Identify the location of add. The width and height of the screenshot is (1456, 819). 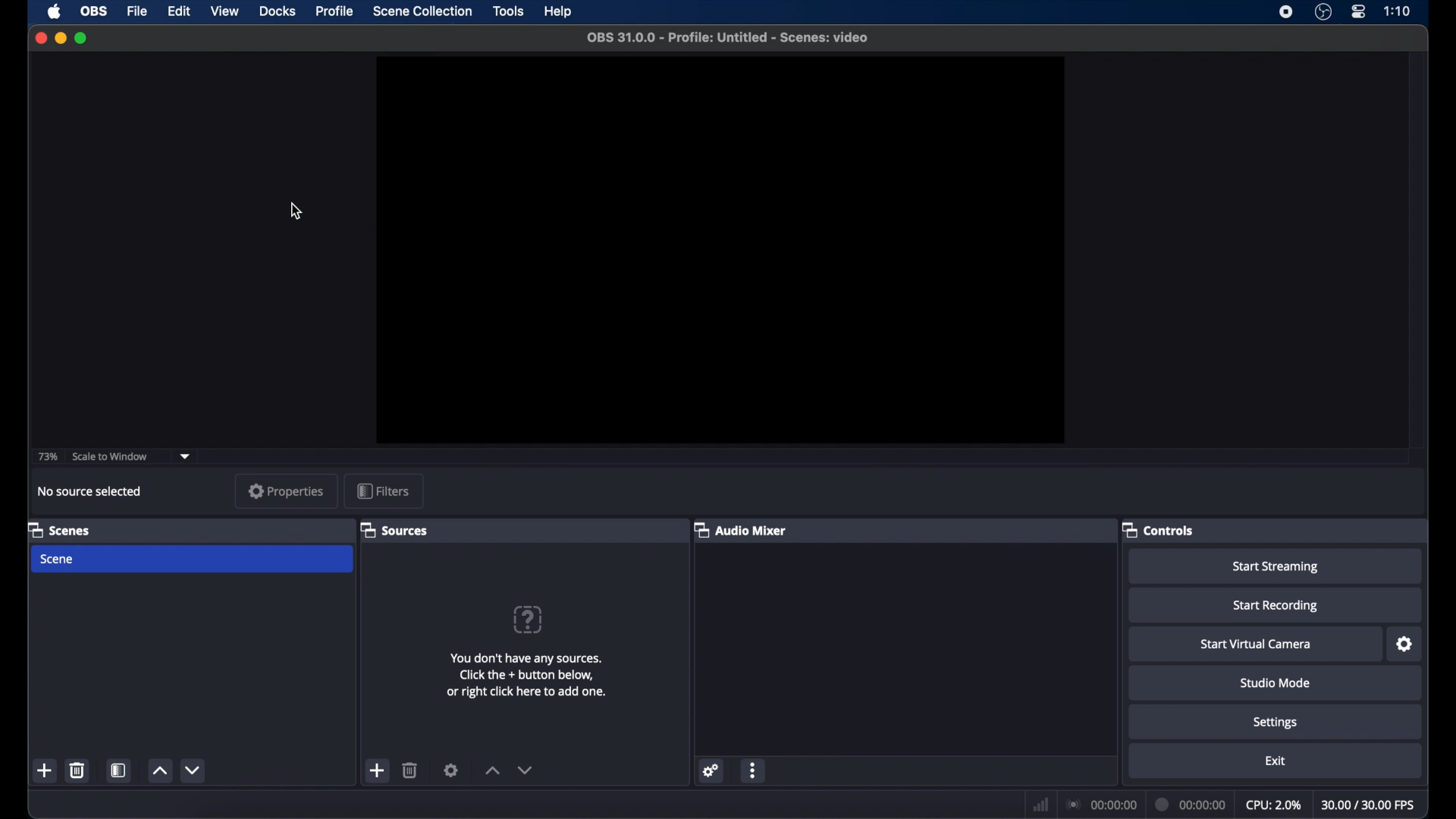
(46, 770).